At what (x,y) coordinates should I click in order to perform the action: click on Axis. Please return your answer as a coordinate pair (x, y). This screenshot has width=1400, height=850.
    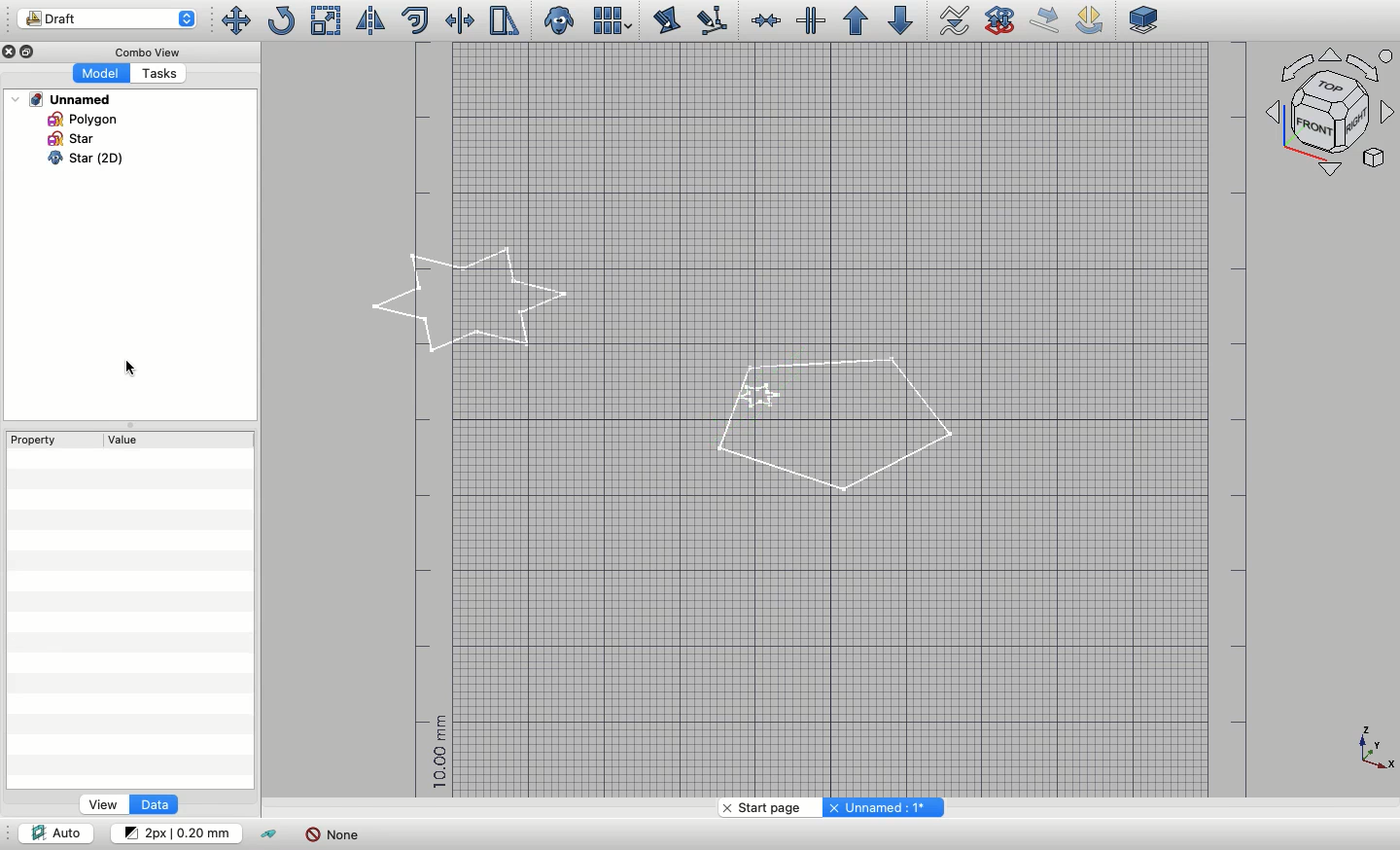
    Looking at the image, I should click on (1376, 749).